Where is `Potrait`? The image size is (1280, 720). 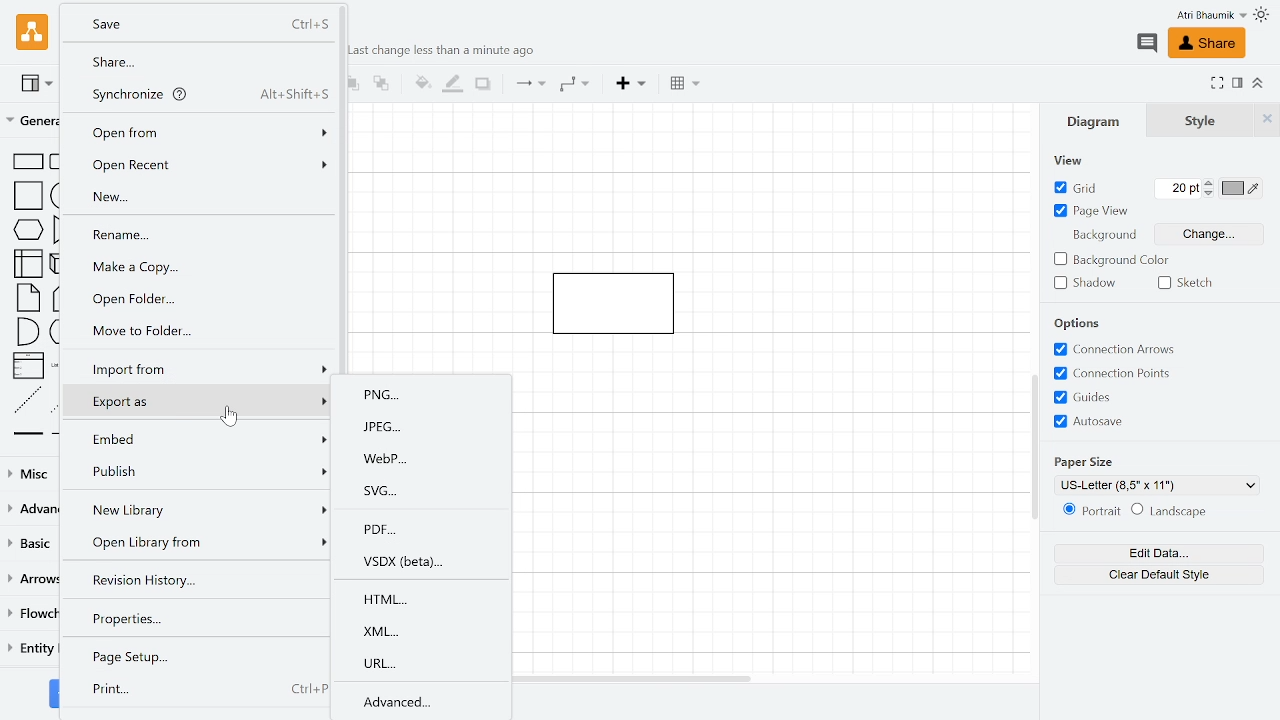
Potrait is located at coordinates (1090, 510).